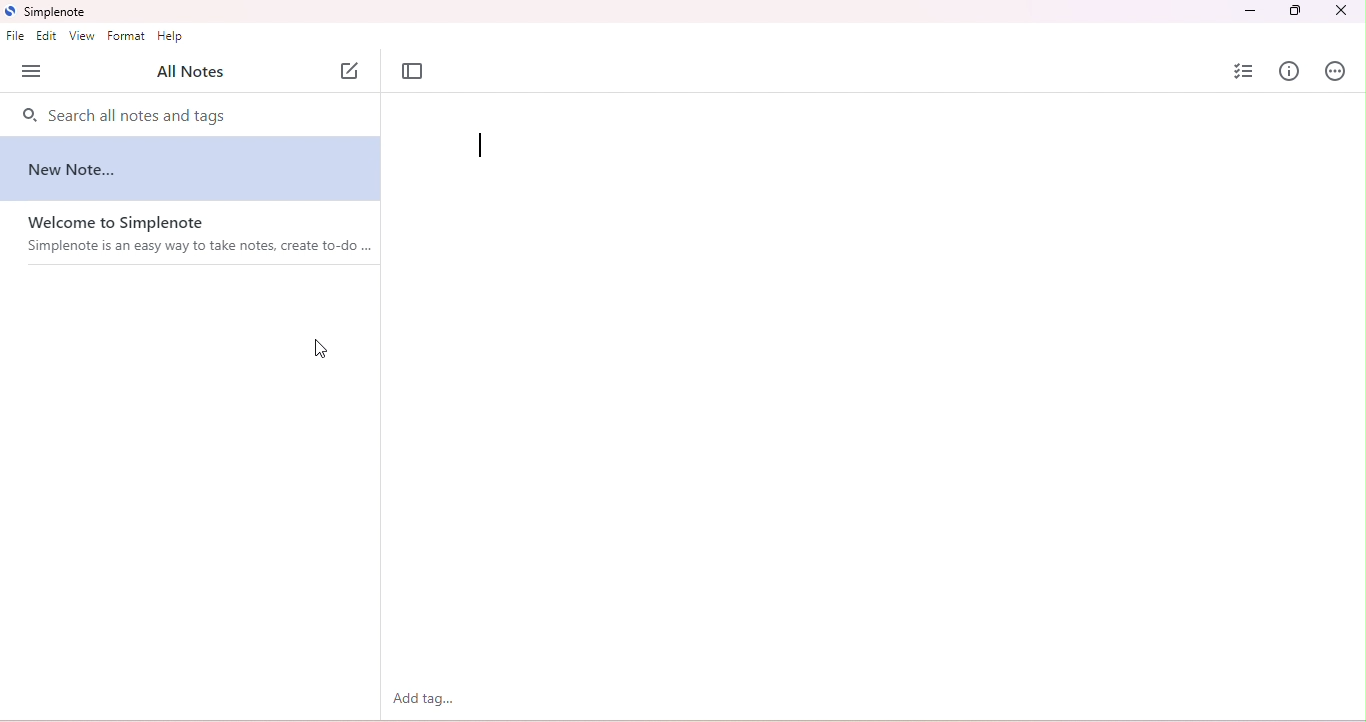  What do you see at coordinates (1338, 11) in the screenshot?
I see `close` at bounding box center [1338, 11].